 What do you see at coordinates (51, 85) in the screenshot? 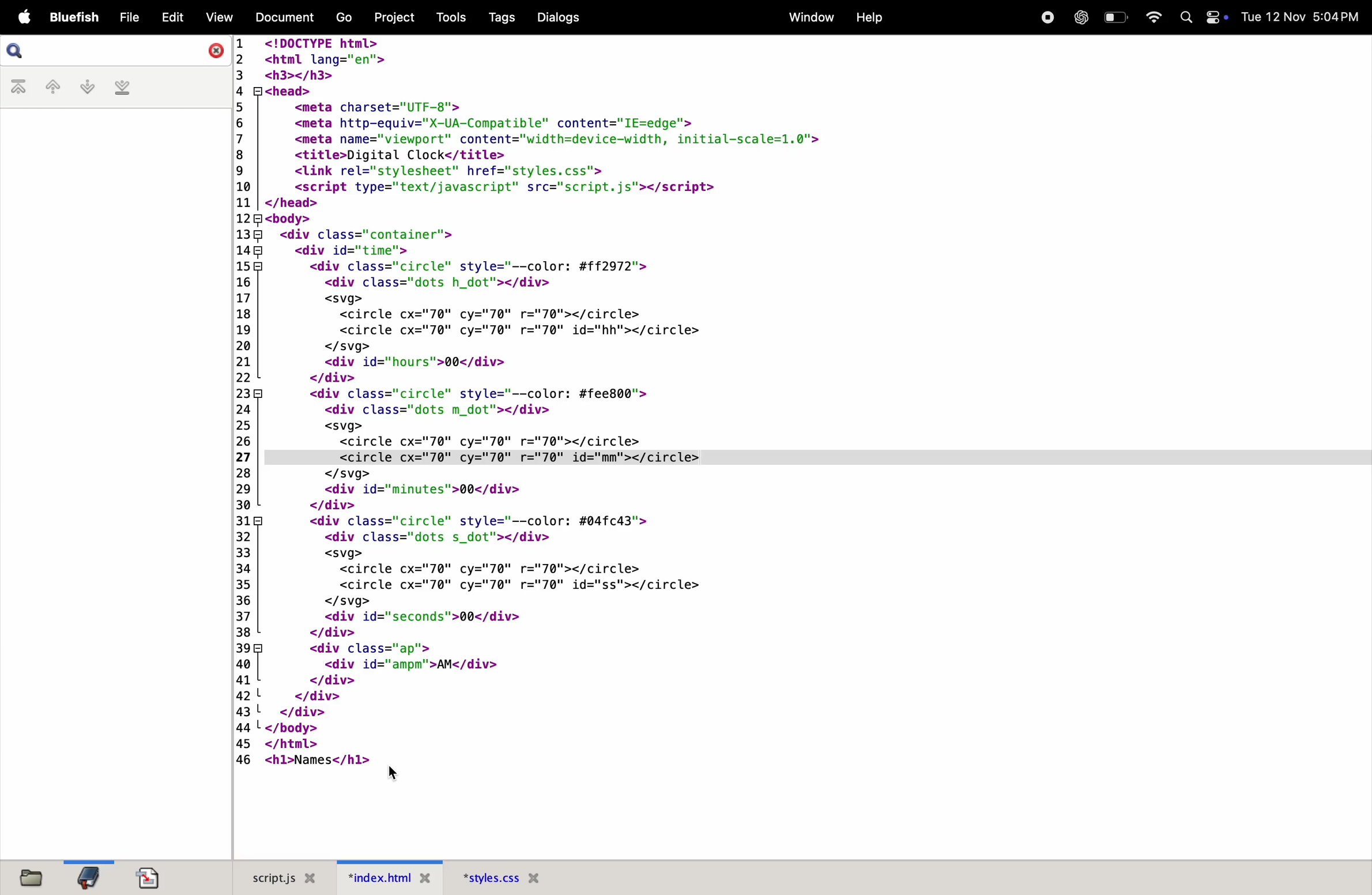
I see `previous bookmark` at bounding box center [51, 85].